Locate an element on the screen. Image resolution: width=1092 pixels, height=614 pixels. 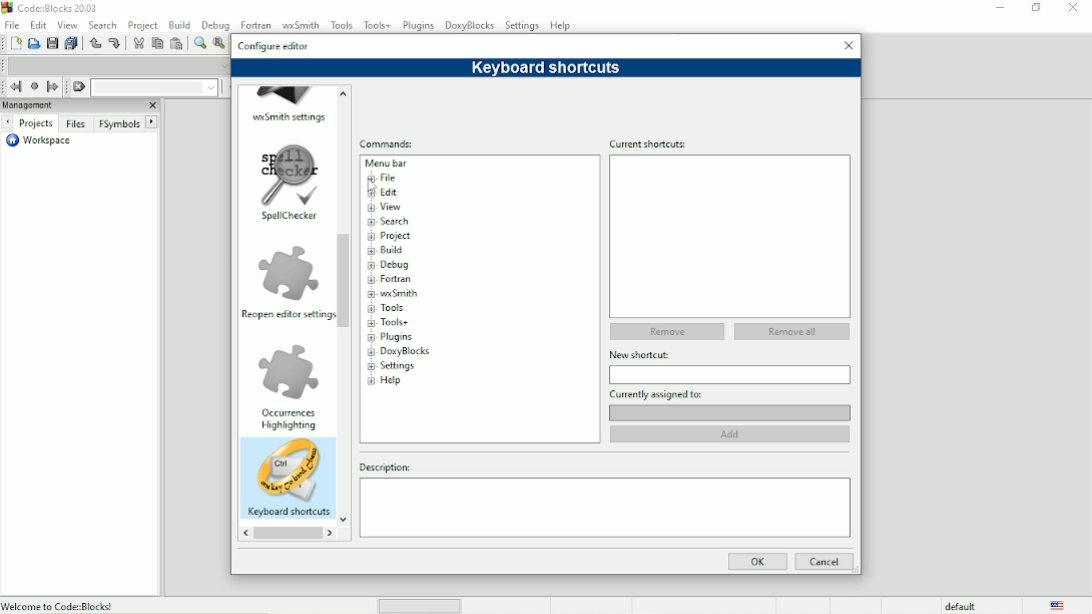
Jump forward is located at coordinates (55, 87).